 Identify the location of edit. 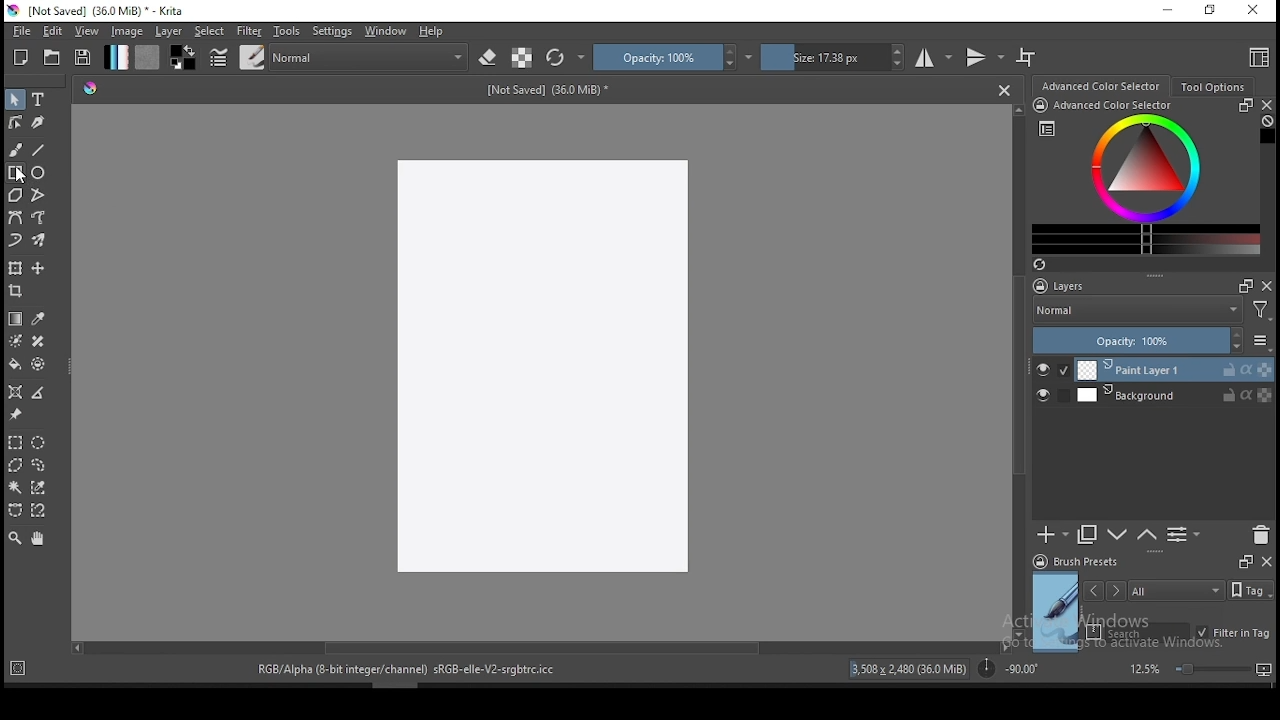
(52, 30).